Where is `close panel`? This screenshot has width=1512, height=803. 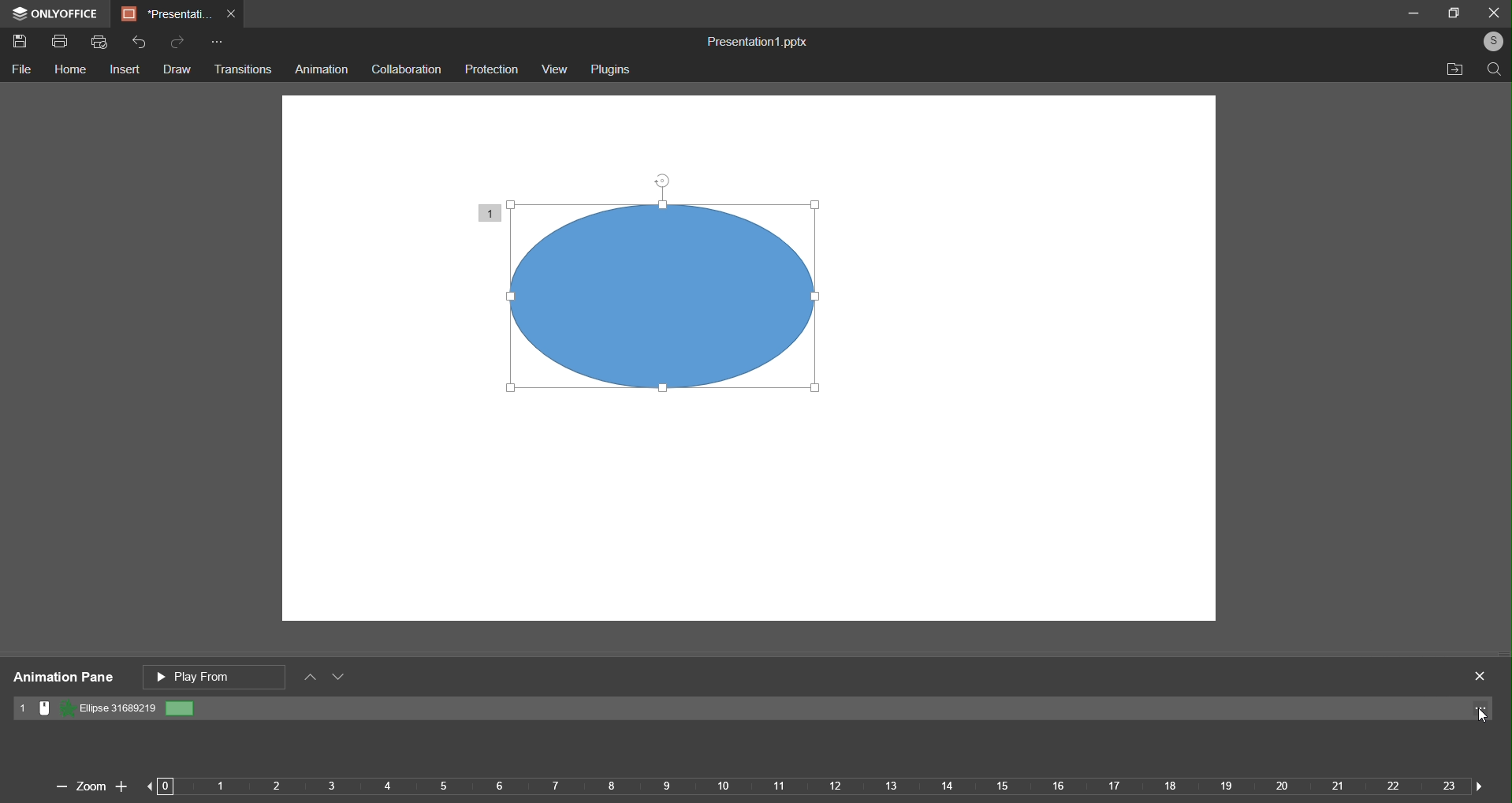 close panel is located at coordinates (1481, 675).